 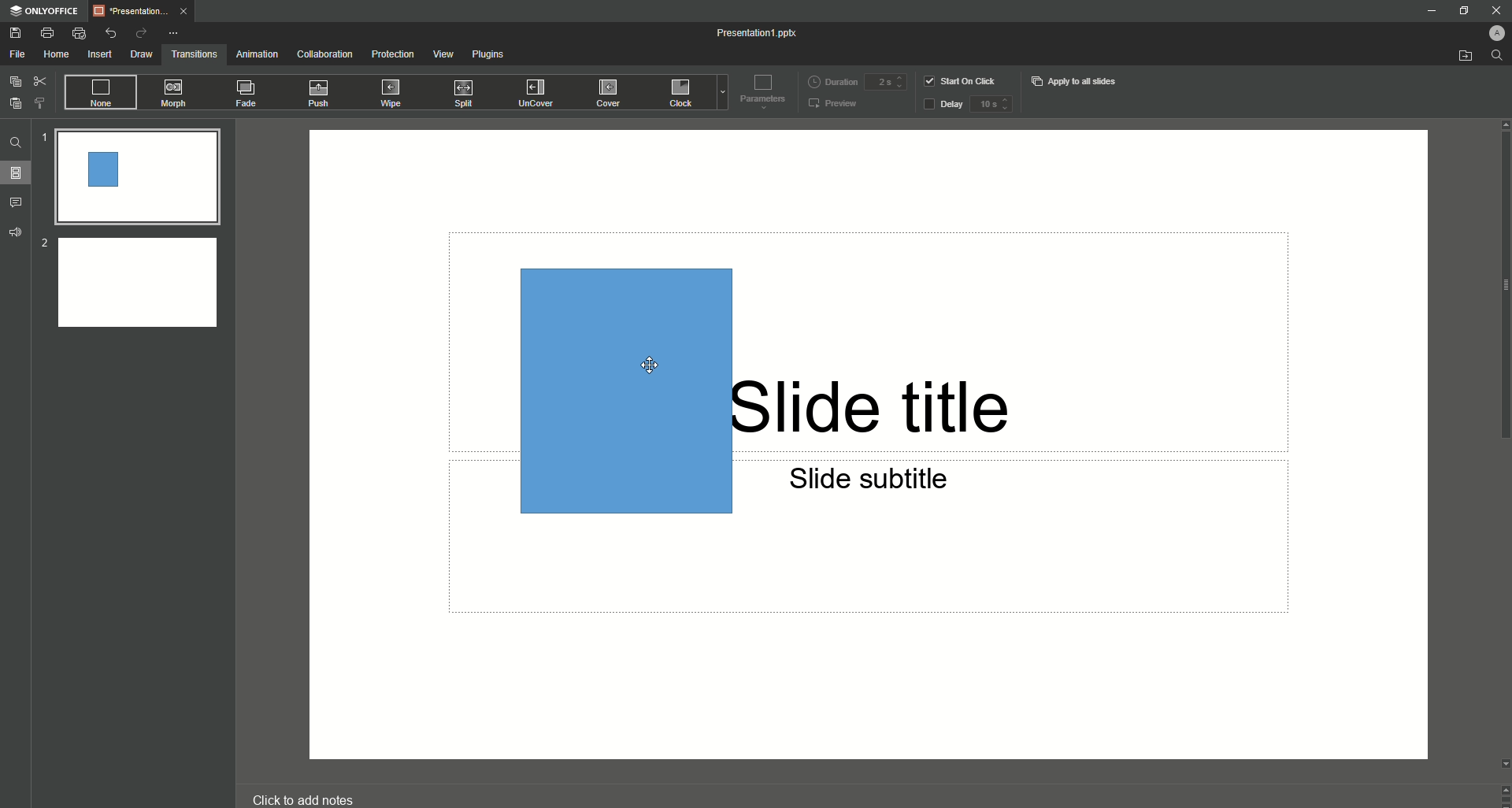 I want to click on Paste, so click(x=15, y=103).